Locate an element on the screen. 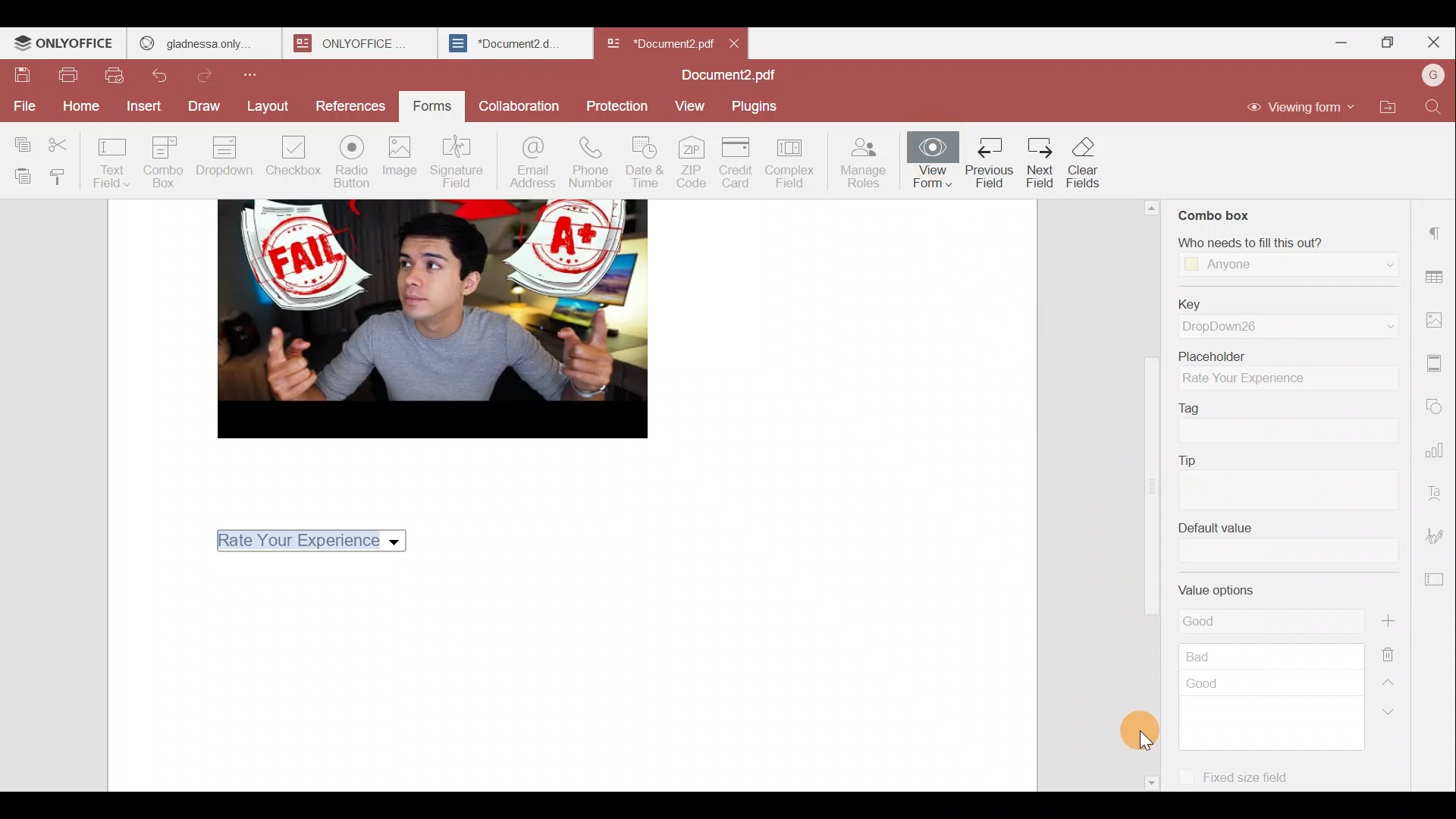 The height and width of the screenshot is (819, 1456). Minimize is located at coordinates (1329, 45).